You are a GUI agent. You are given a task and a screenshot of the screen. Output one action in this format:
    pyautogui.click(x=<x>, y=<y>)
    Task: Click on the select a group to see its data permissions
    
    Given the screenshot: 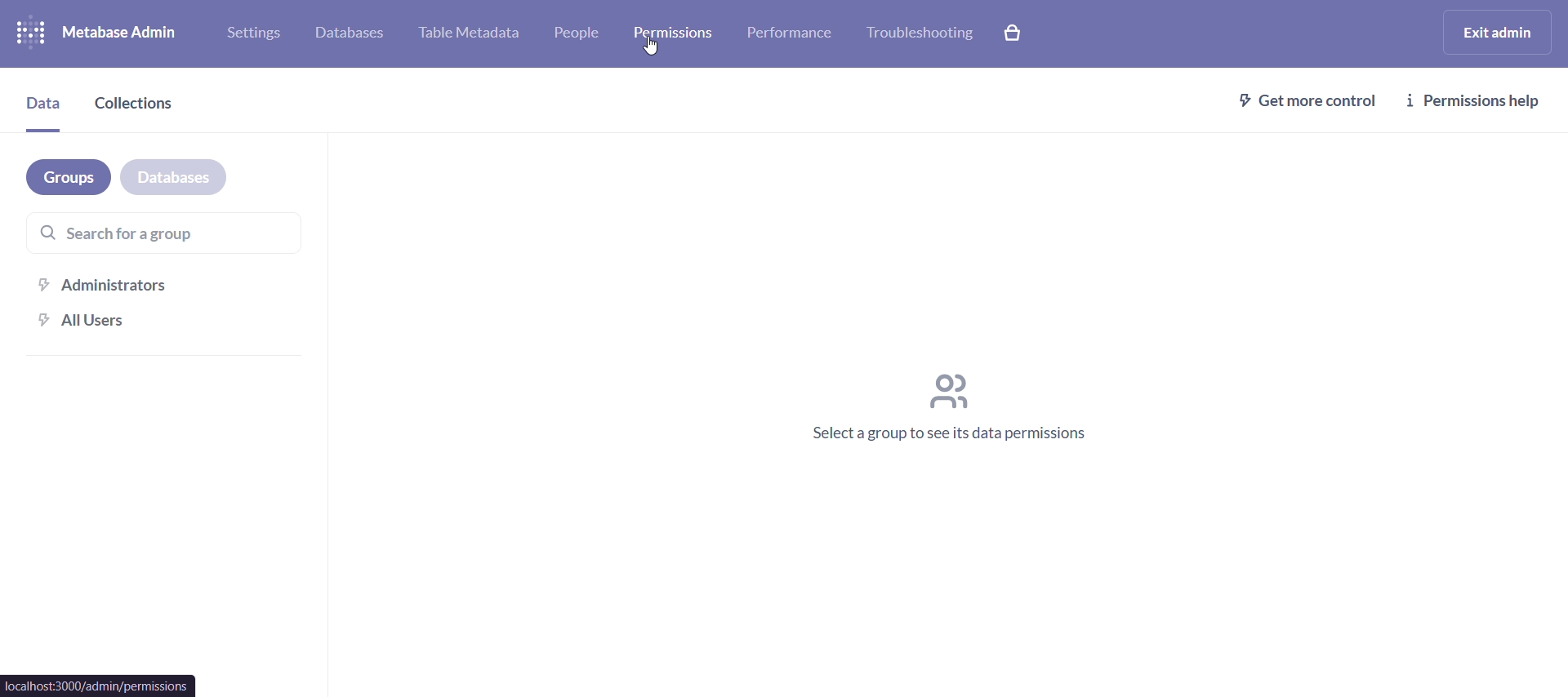 What is the action you would take?
    pyautogui.click(x=947, y=406)
    